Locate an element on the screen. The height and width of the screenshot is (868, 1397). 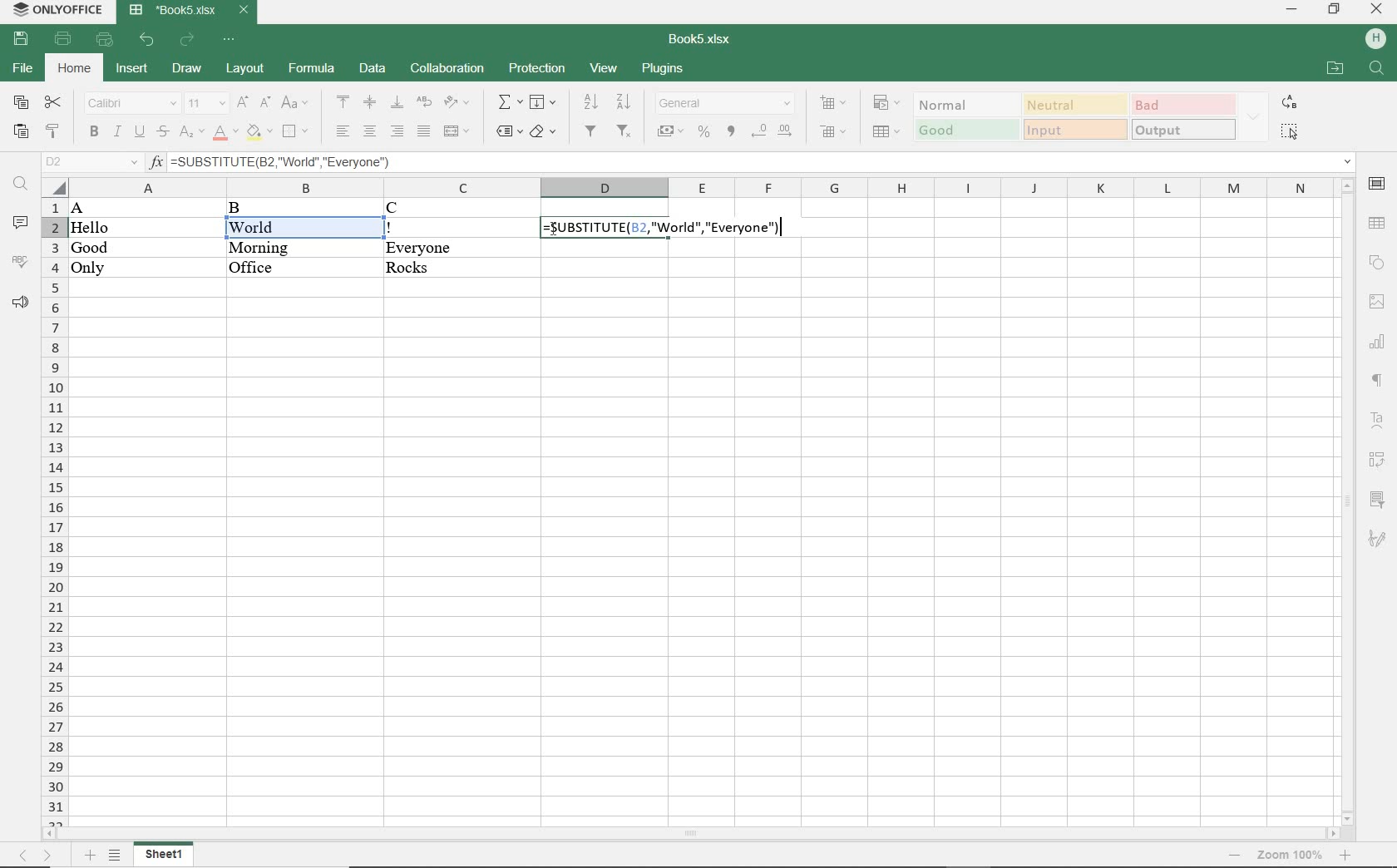
copy style is located at coordinates (52, 133).